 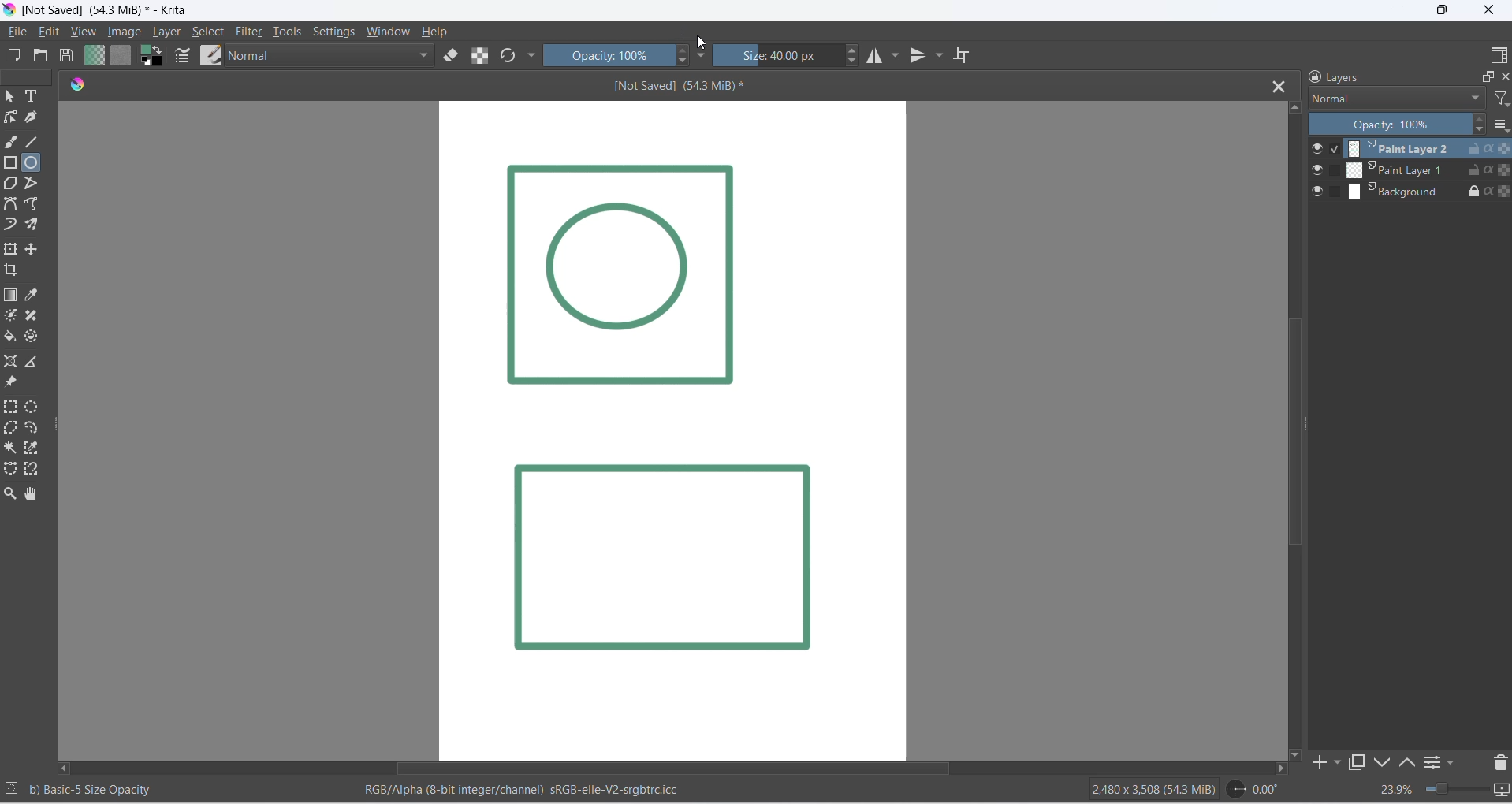 What do you see at coordinates (779, 54) in the screenshot?
I see `size` at bounding box center [779, 54].